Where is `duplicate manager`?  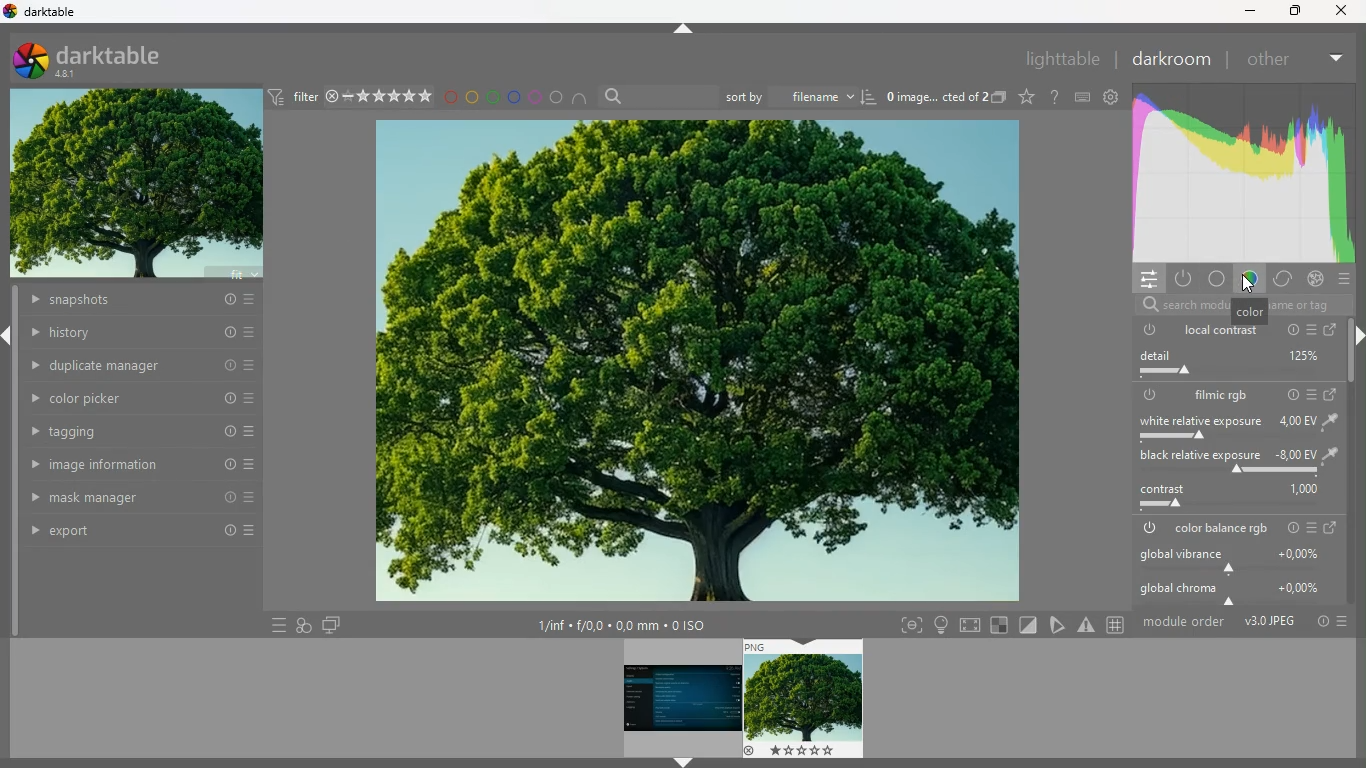 duplicate manager is located at coordinates (143, 364).